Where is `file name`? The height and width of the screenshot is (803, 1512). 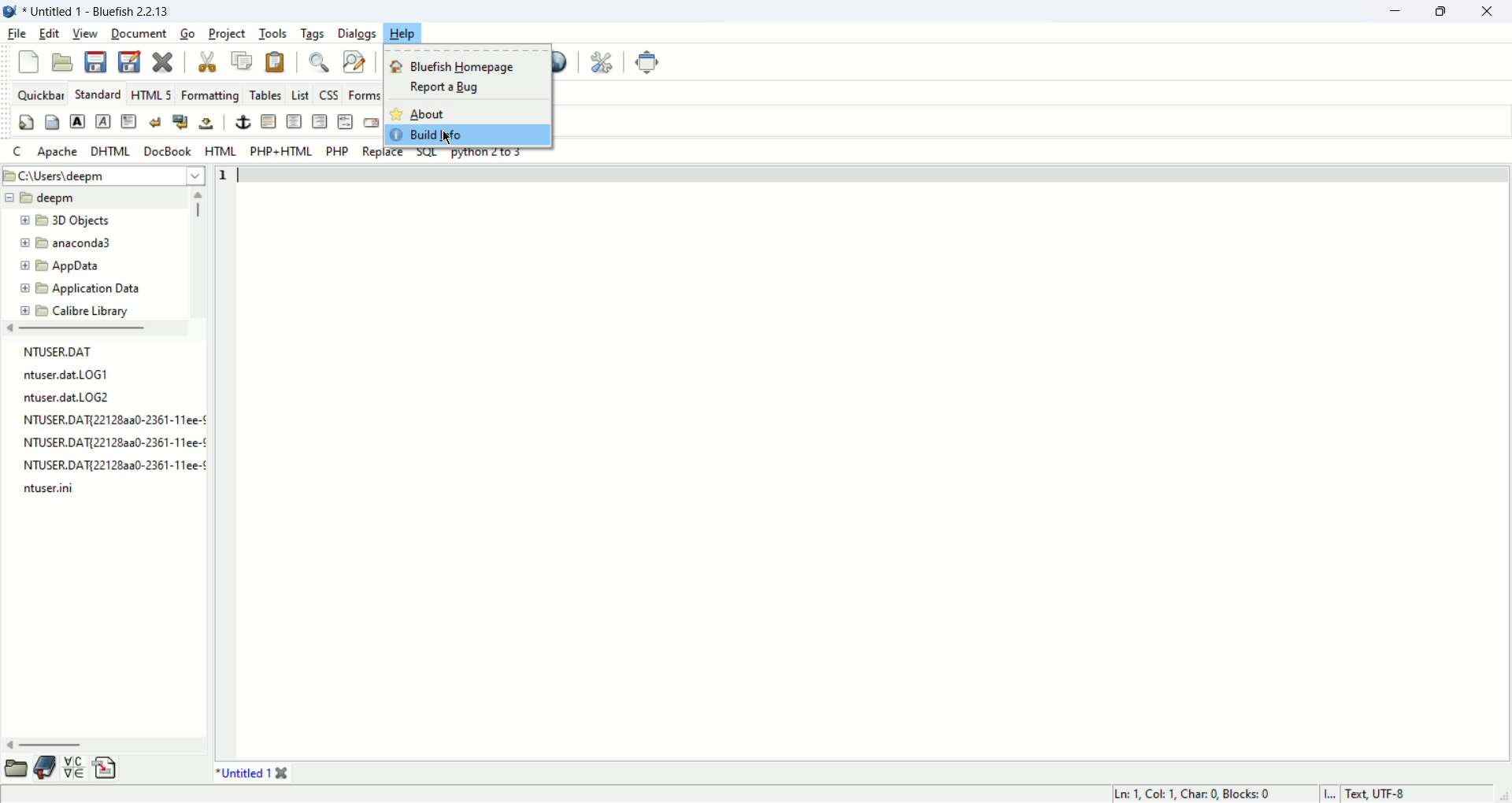
file name is located at coordinates (50, 491).